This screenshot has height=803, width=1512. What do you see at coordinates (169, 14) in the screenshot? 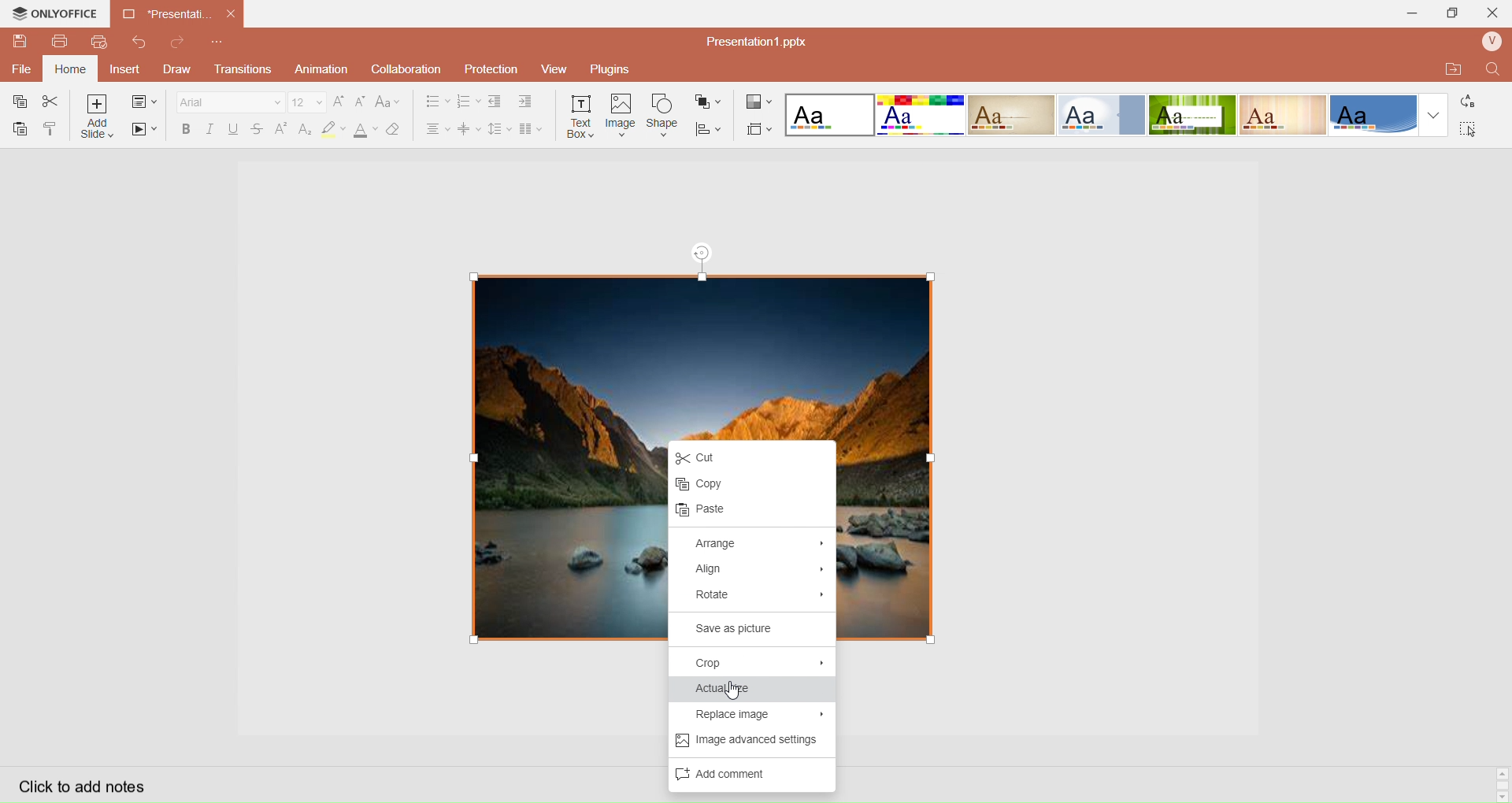
I see `Current open document` at bounding box center [169, 14].